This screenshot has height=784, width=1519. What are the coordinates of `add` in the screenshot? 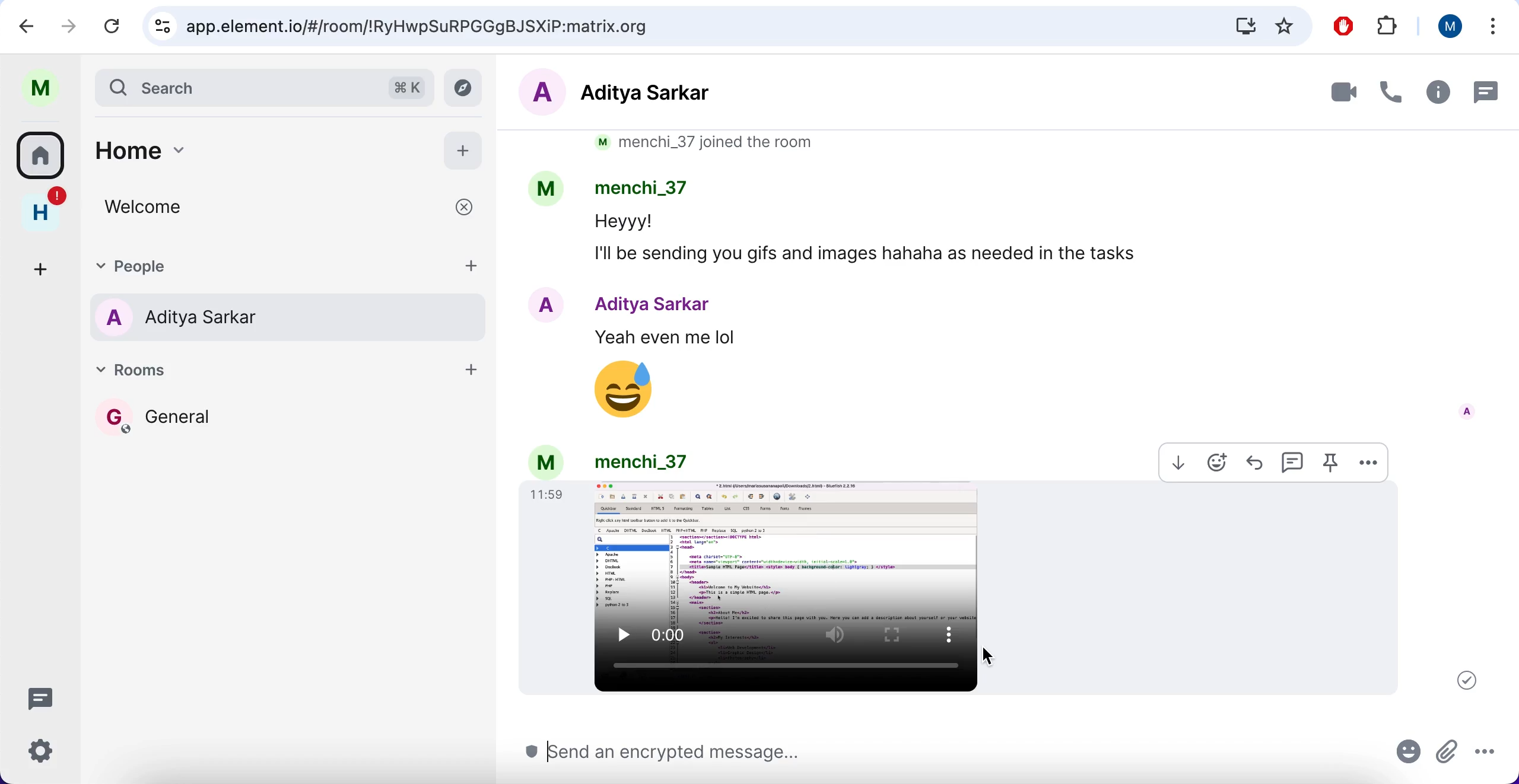 It's located at (44, 263).